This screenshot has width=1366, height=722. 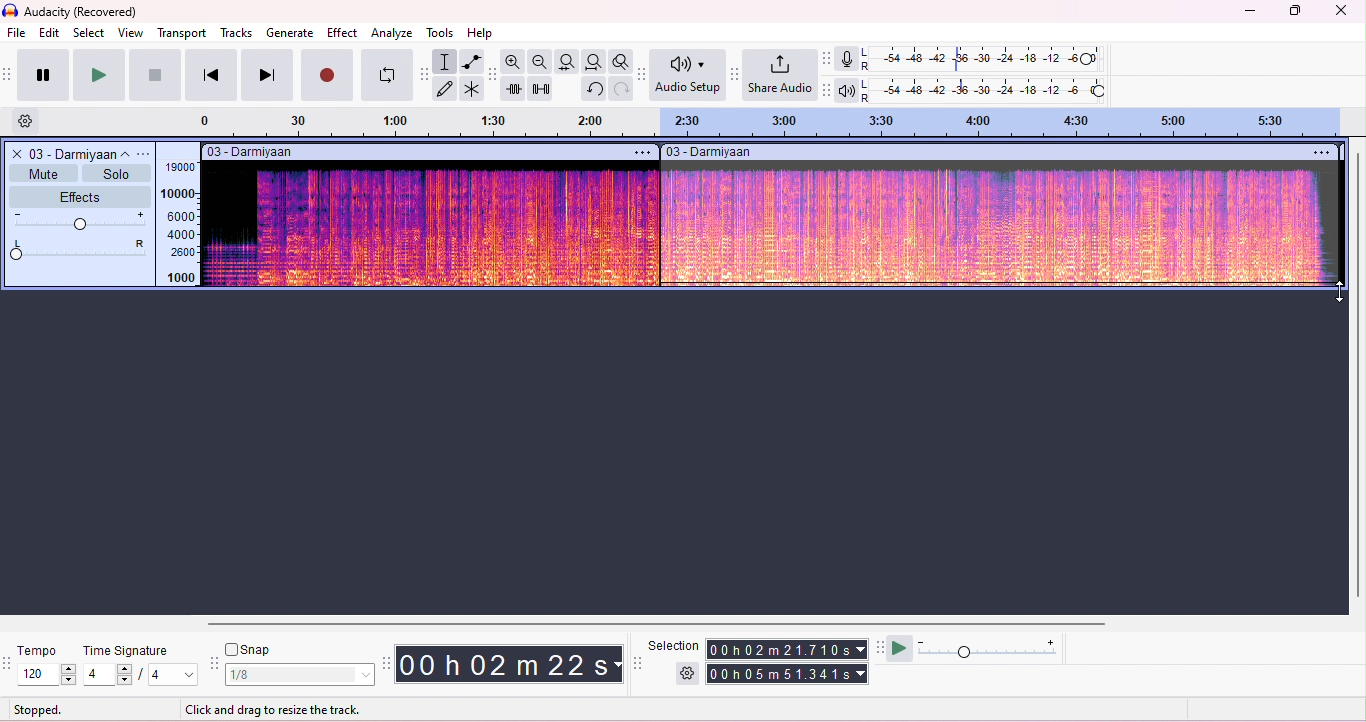 I want to click on stopped, so click(x=40, y=709).